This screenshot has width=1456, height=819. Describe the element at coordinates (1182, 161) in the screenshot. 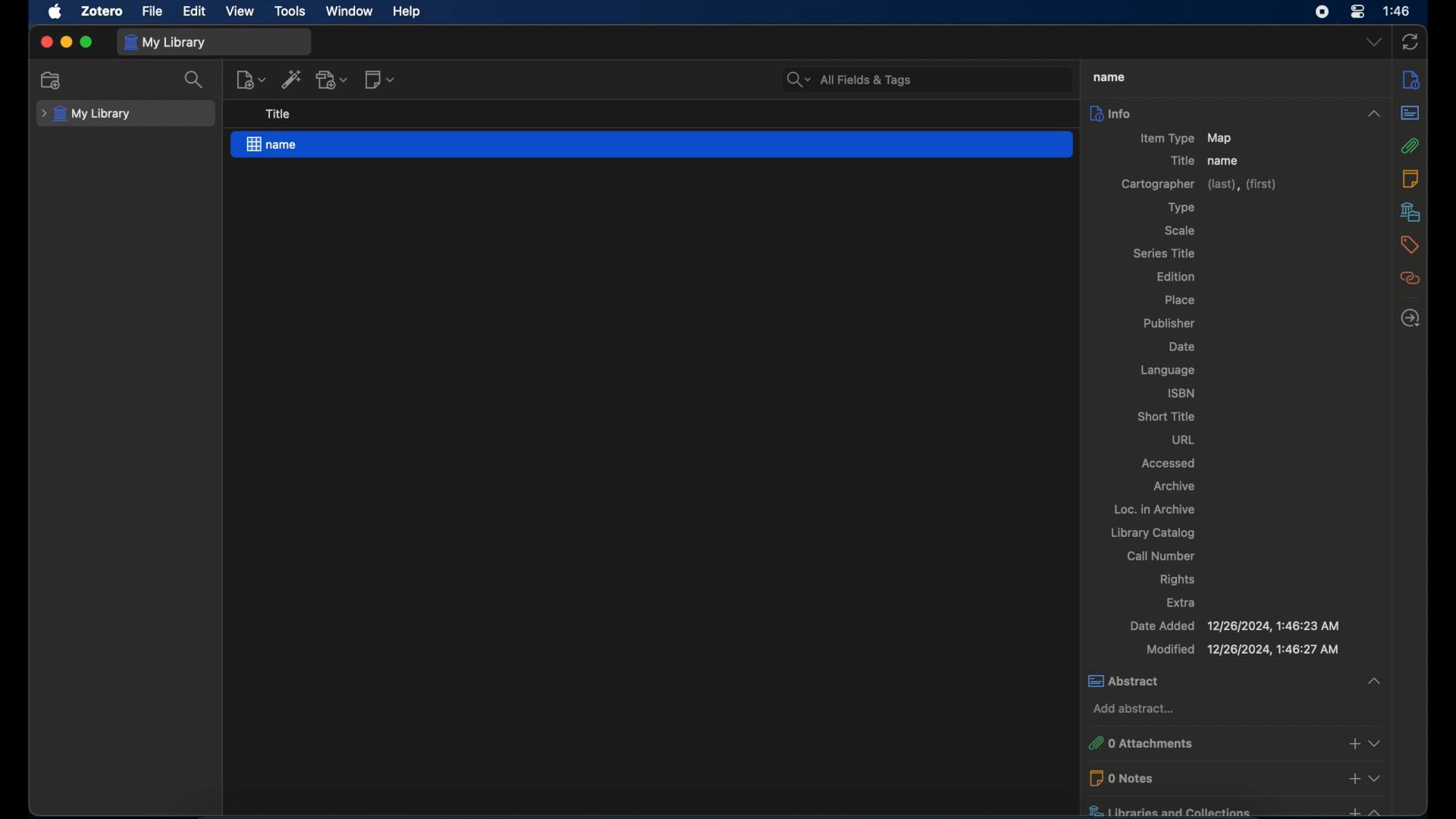

I see `title` at that location.